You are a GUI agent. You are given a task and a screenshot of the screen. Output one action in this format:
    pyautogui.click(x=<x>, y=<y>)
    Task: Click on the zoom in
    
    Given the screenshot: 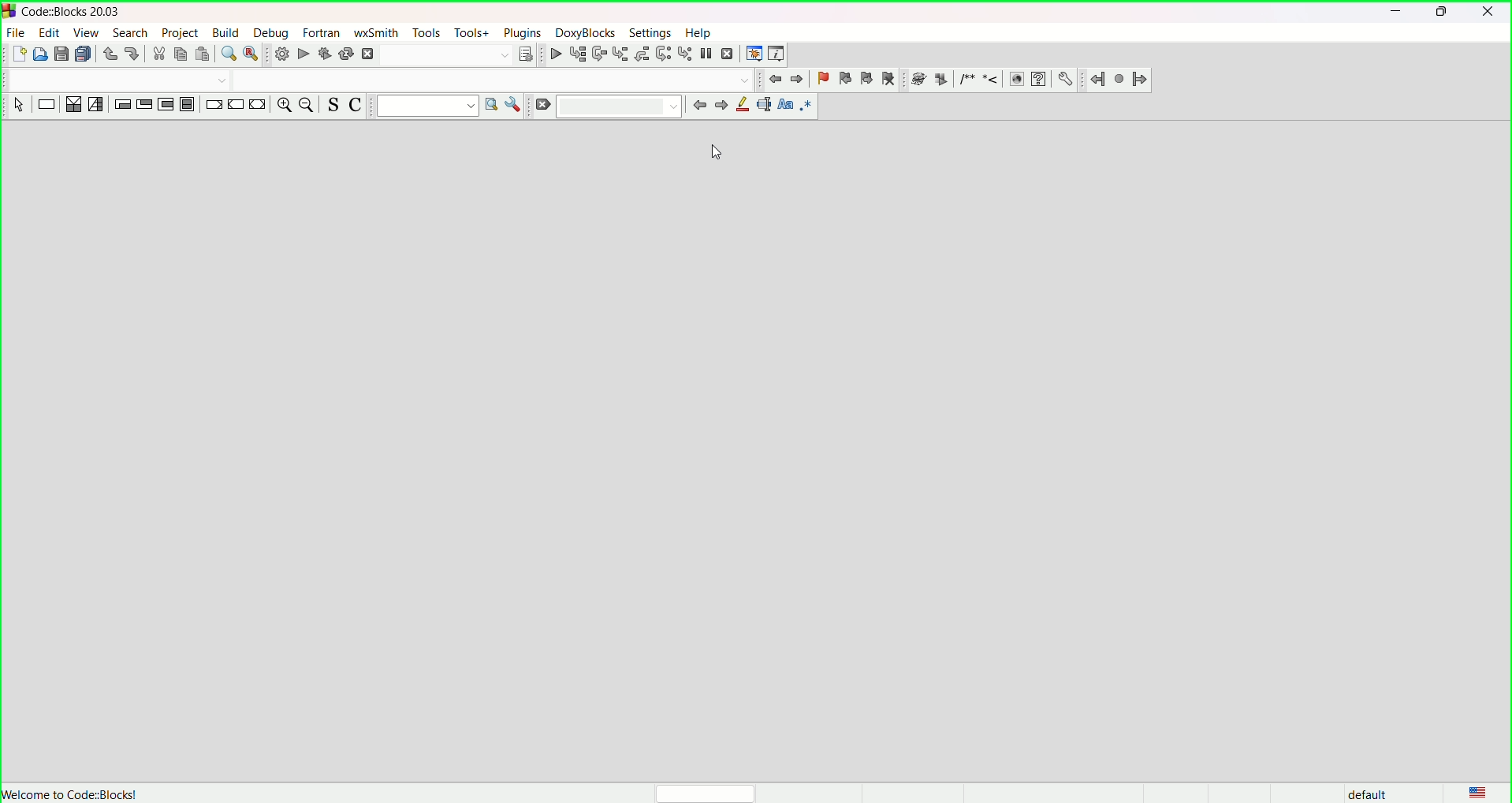 What is the action you would take?
    pyautogui.click(x=282, y=105)
    